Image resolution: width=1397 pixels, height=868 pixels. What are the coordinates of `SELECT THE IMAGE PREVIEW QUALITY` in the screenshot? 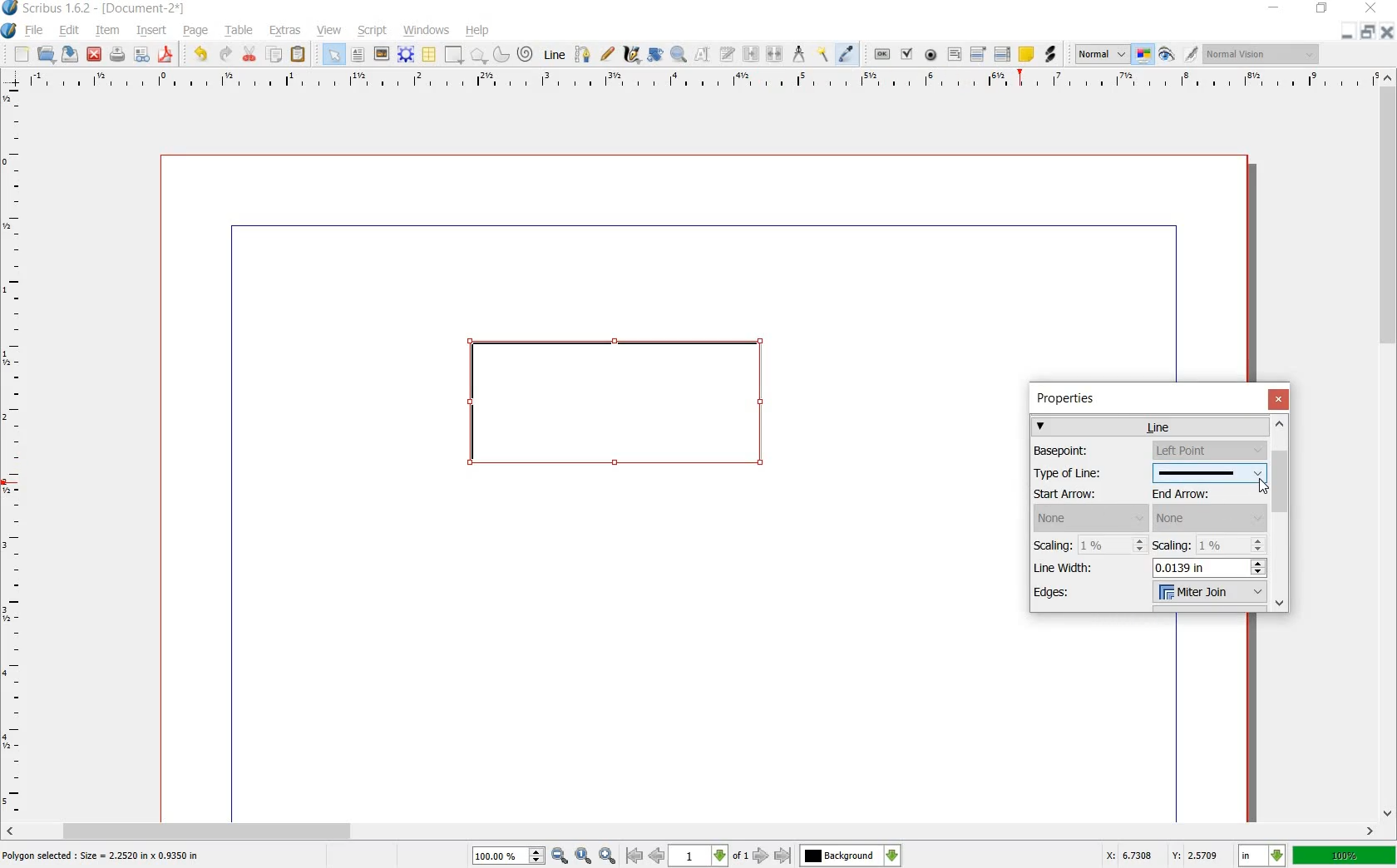 It's located at (1098, 54).